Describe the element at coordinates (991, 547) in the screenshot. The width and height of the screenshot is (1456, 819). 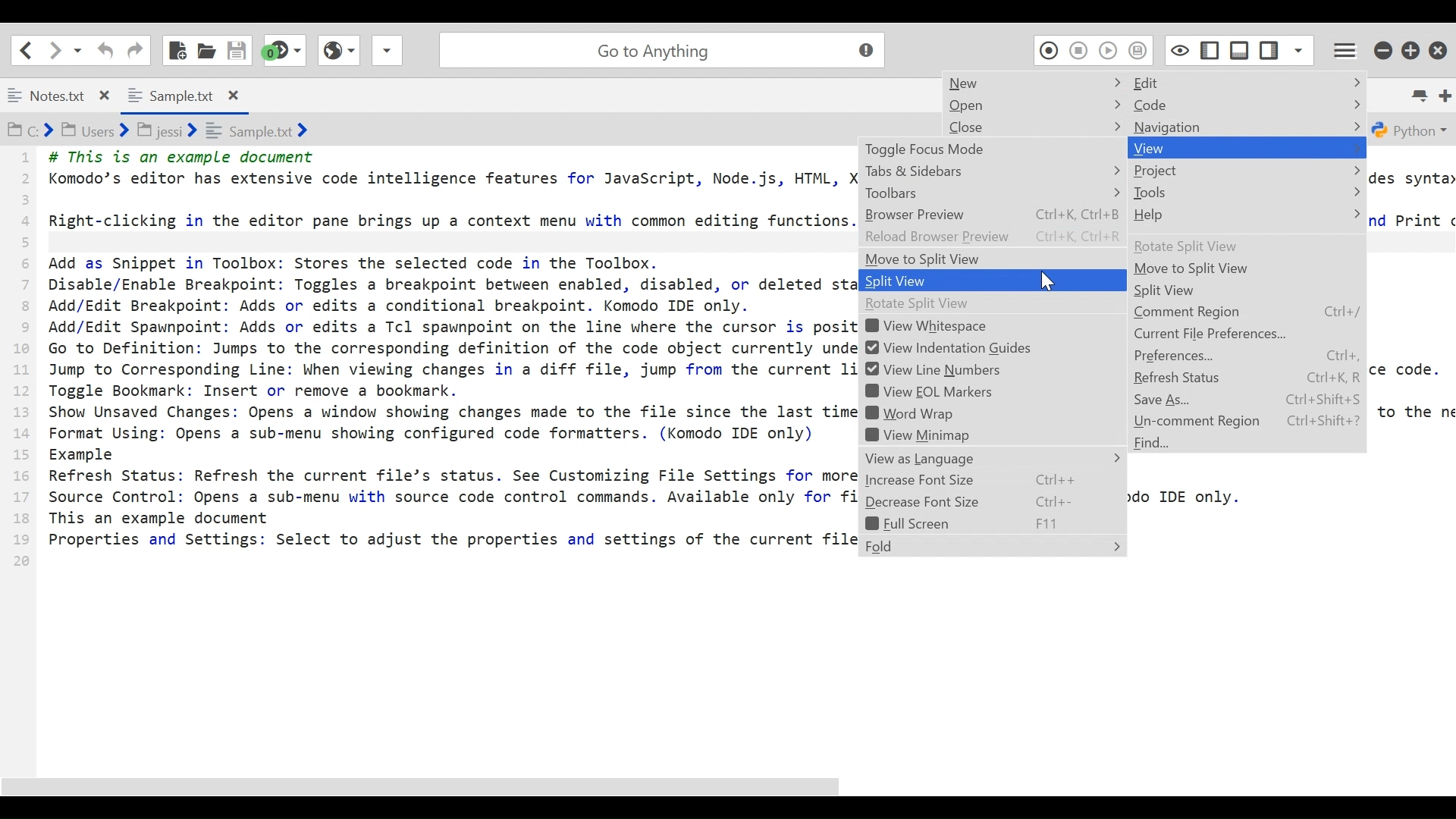
I see `Fold` at that location.